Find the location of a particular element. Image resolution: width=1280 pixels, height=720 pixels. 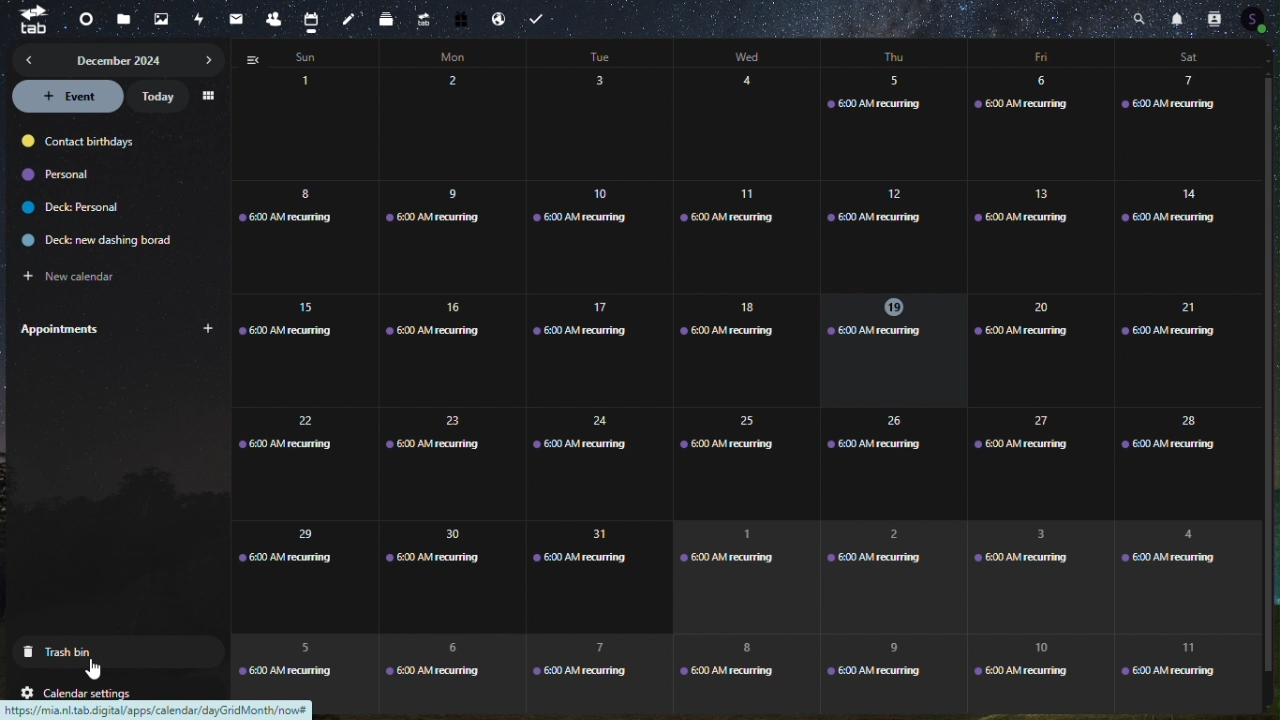

13 is located at coordinates (1040, 237).